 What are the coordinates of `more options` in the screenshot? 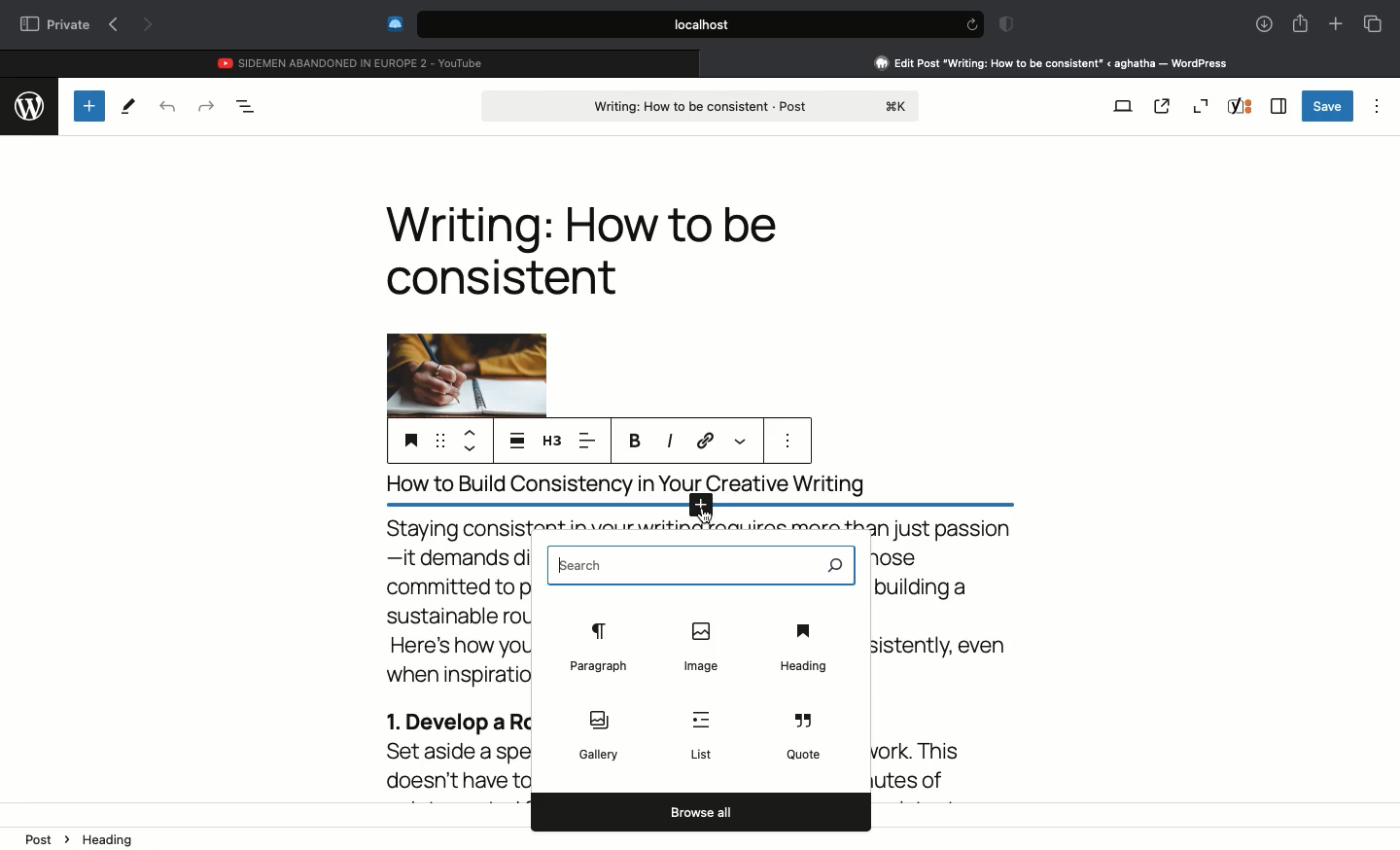 It's located at (791, 443).